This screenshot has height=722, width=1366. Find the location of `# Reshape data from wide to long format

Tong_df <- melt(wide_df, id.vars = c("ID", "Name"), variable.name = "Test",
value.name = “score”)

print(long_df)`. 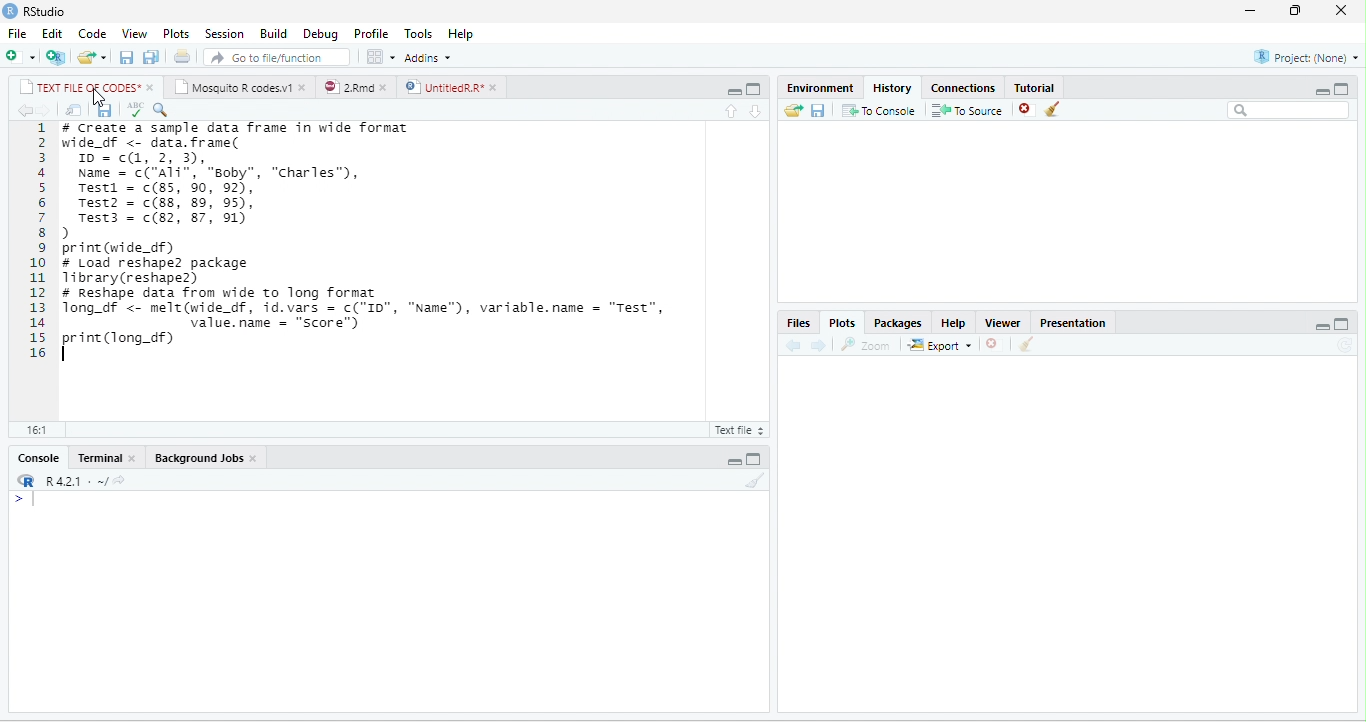

# Reshape data from wide to long format

Tong_df <- melt(wide_df, id.vars = c("ID", "Name"), variable.name = "Test",
value.name = “score”)

print(long_df) is located at coordinates (375, 316).